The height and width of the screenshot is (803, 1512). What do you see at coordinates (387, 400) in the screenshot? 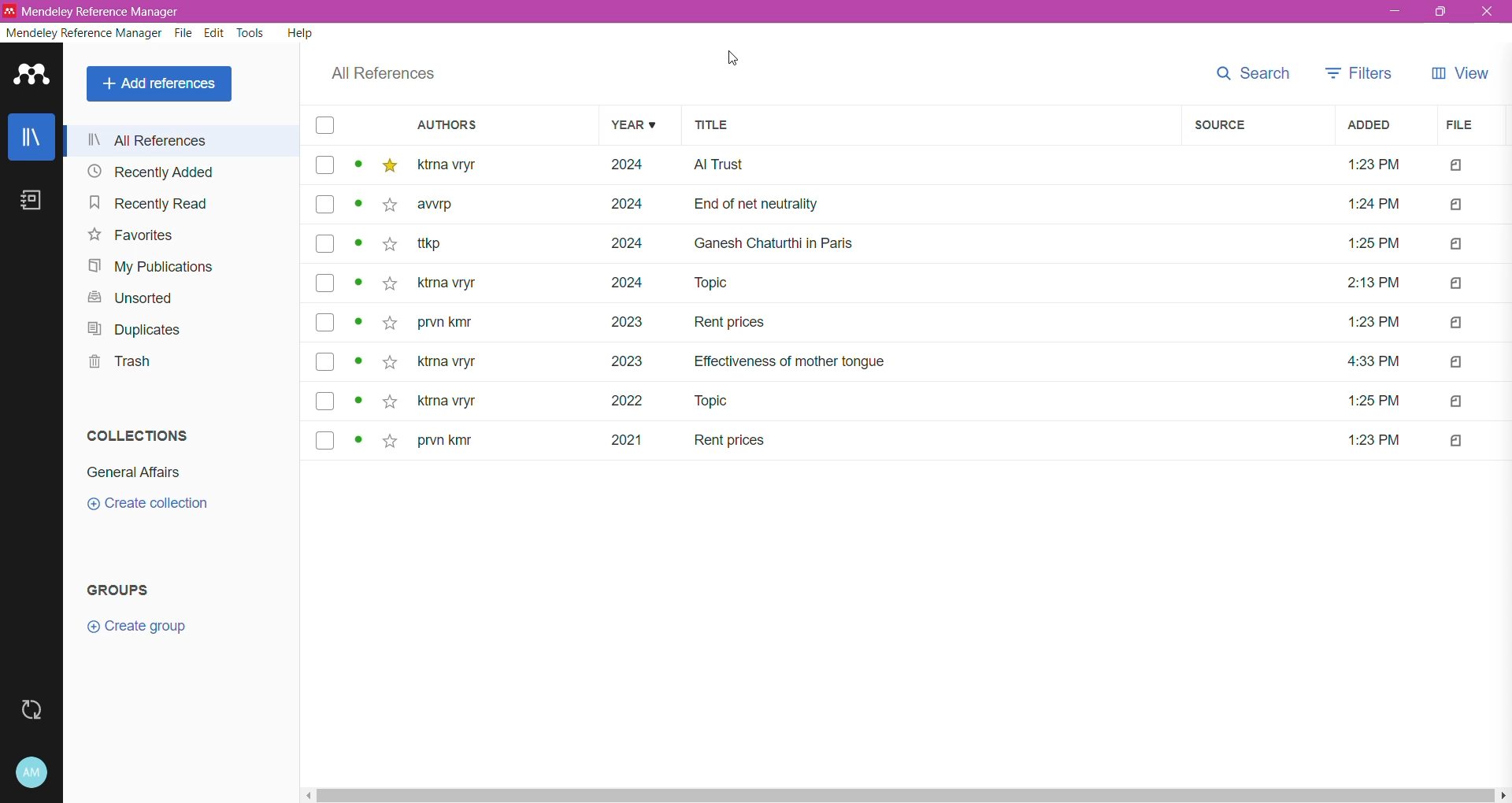
I see `click to add to favorites` at bounding box center [387, 400].